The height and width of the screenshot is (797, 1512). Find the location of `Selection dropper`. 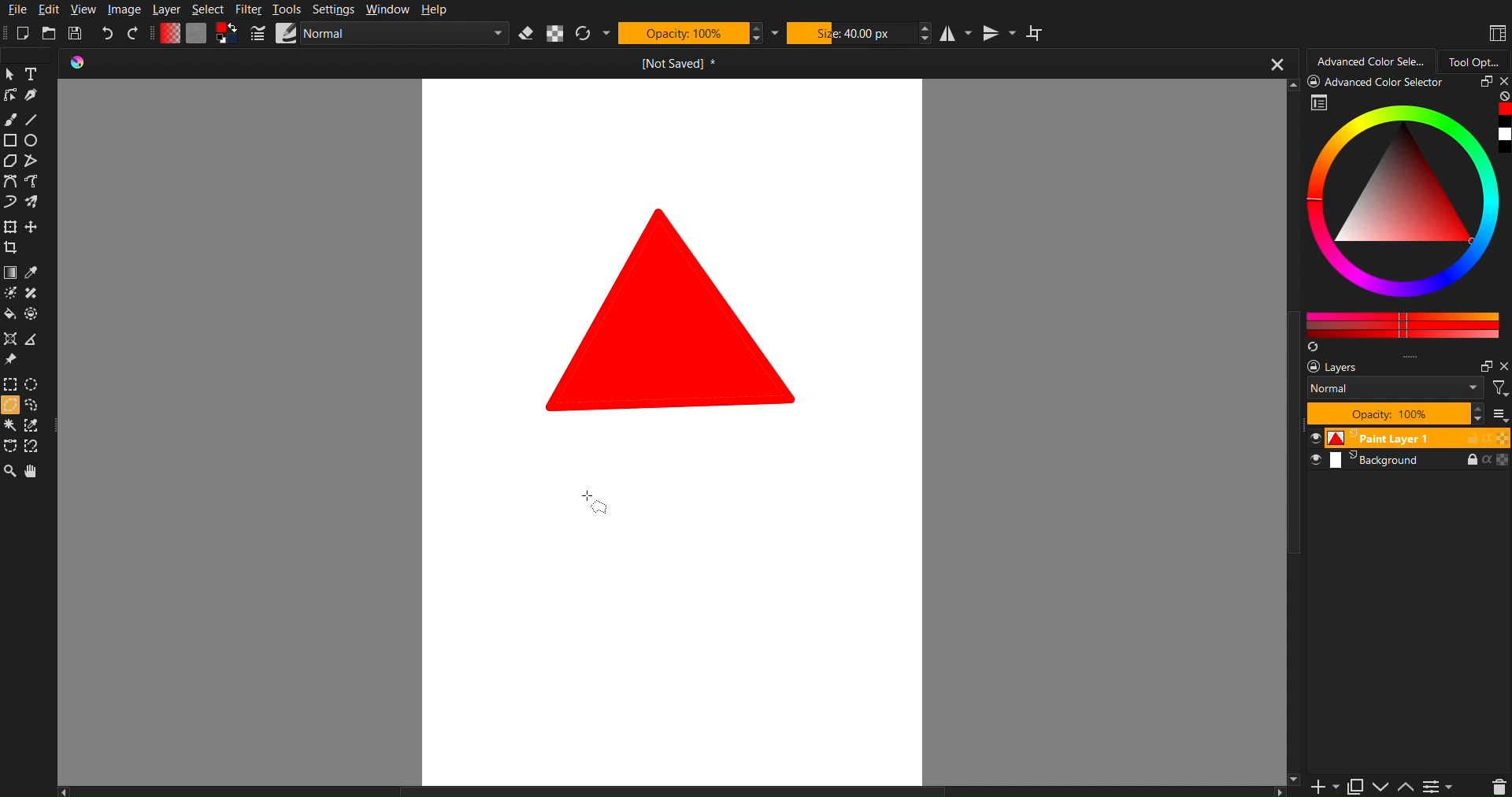

Selection dropper is located at coordinates (32, 426).